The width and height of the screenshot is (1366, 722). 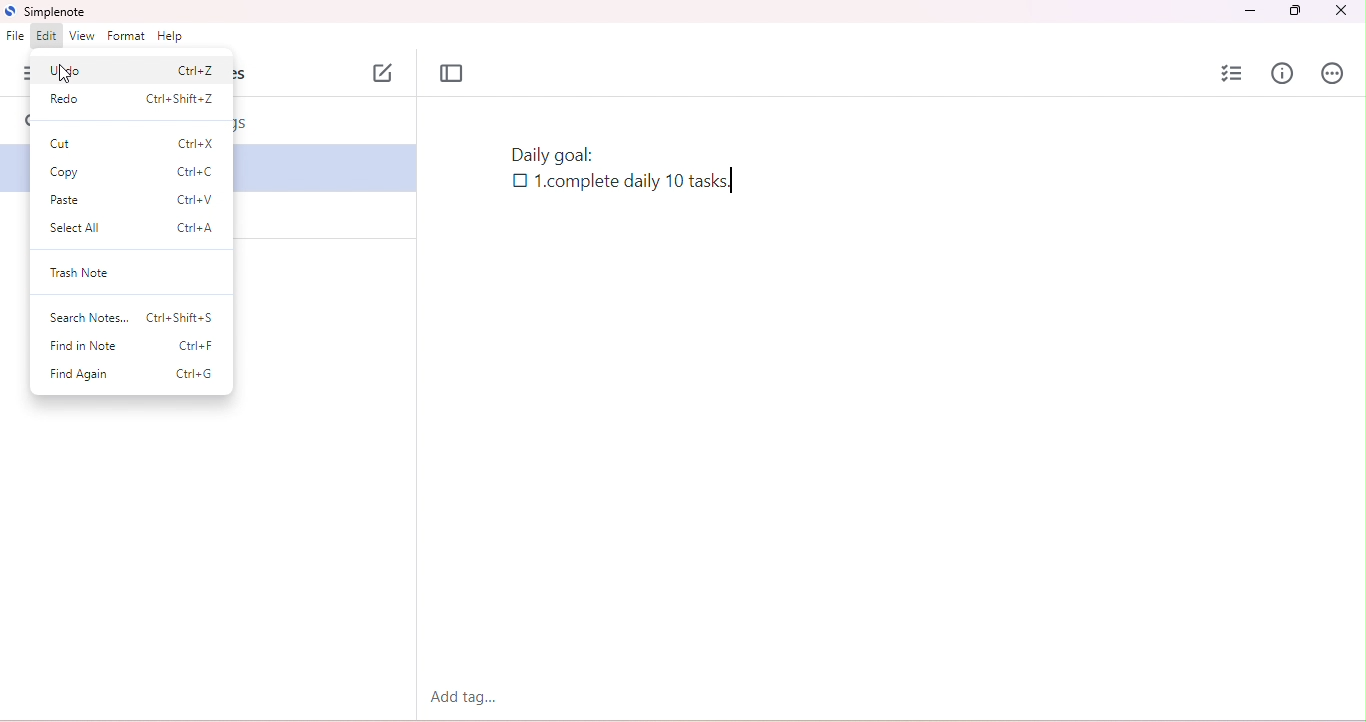 What do you see at coordinates (1234, 72) in the screenshot?
I see `insert checklist` at bounding box center [1234, 72].